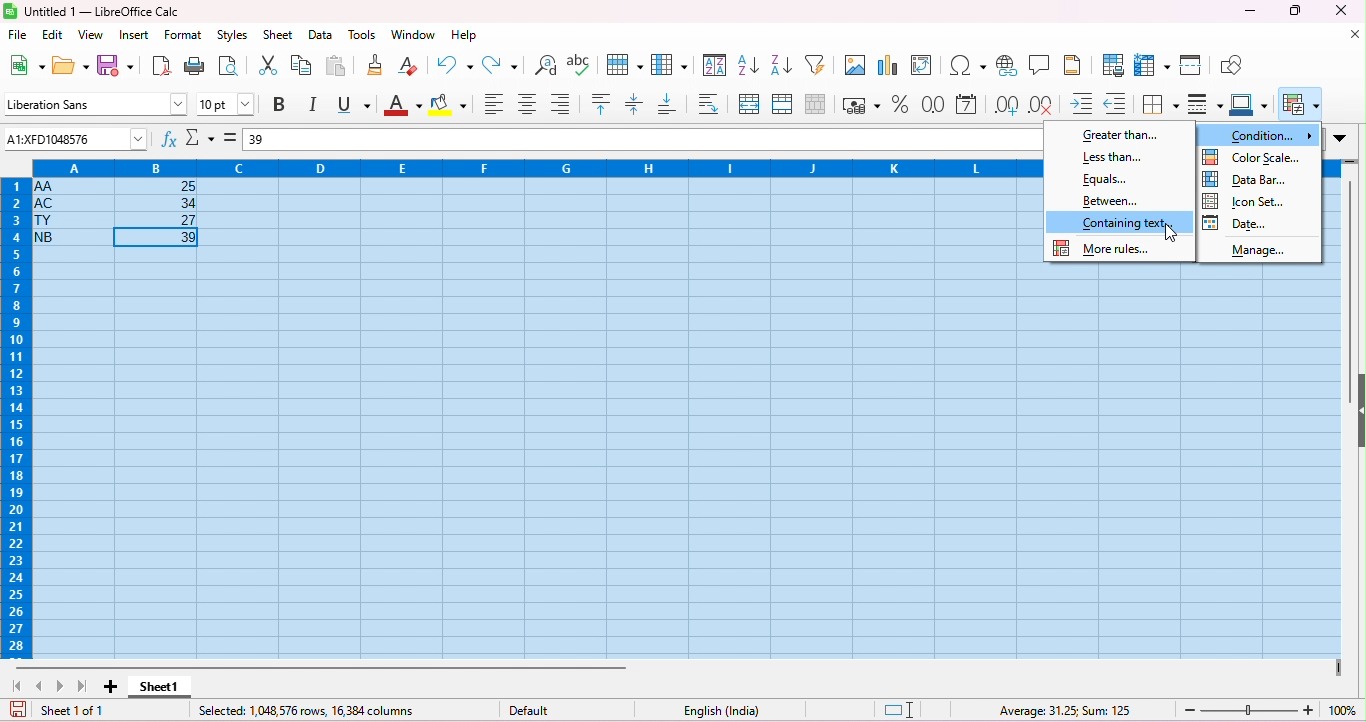  I want to click on border style, so click(1206, 103).